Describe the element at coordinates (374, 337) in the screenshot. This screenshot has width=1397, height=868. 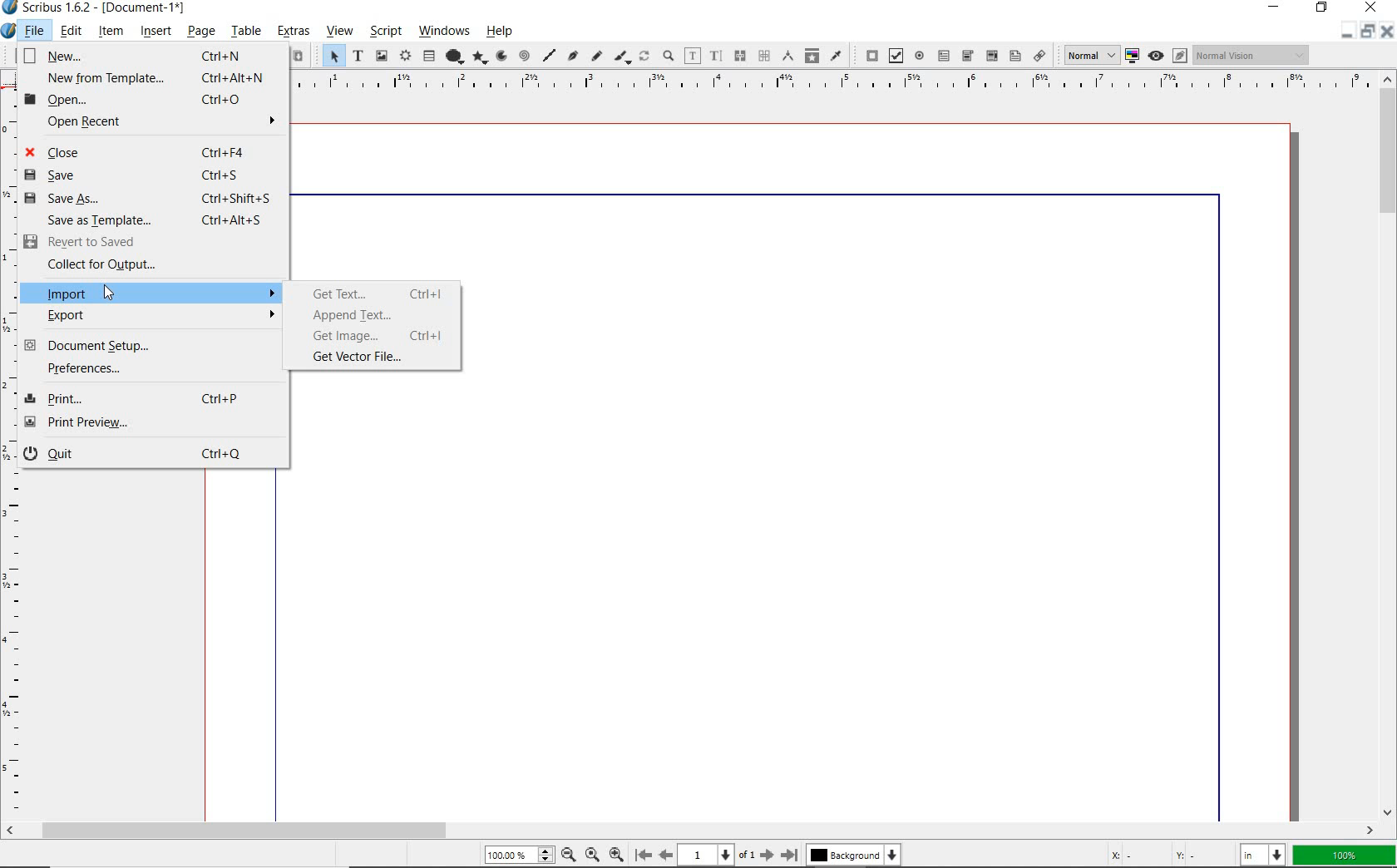
I see `get image...` at that location.